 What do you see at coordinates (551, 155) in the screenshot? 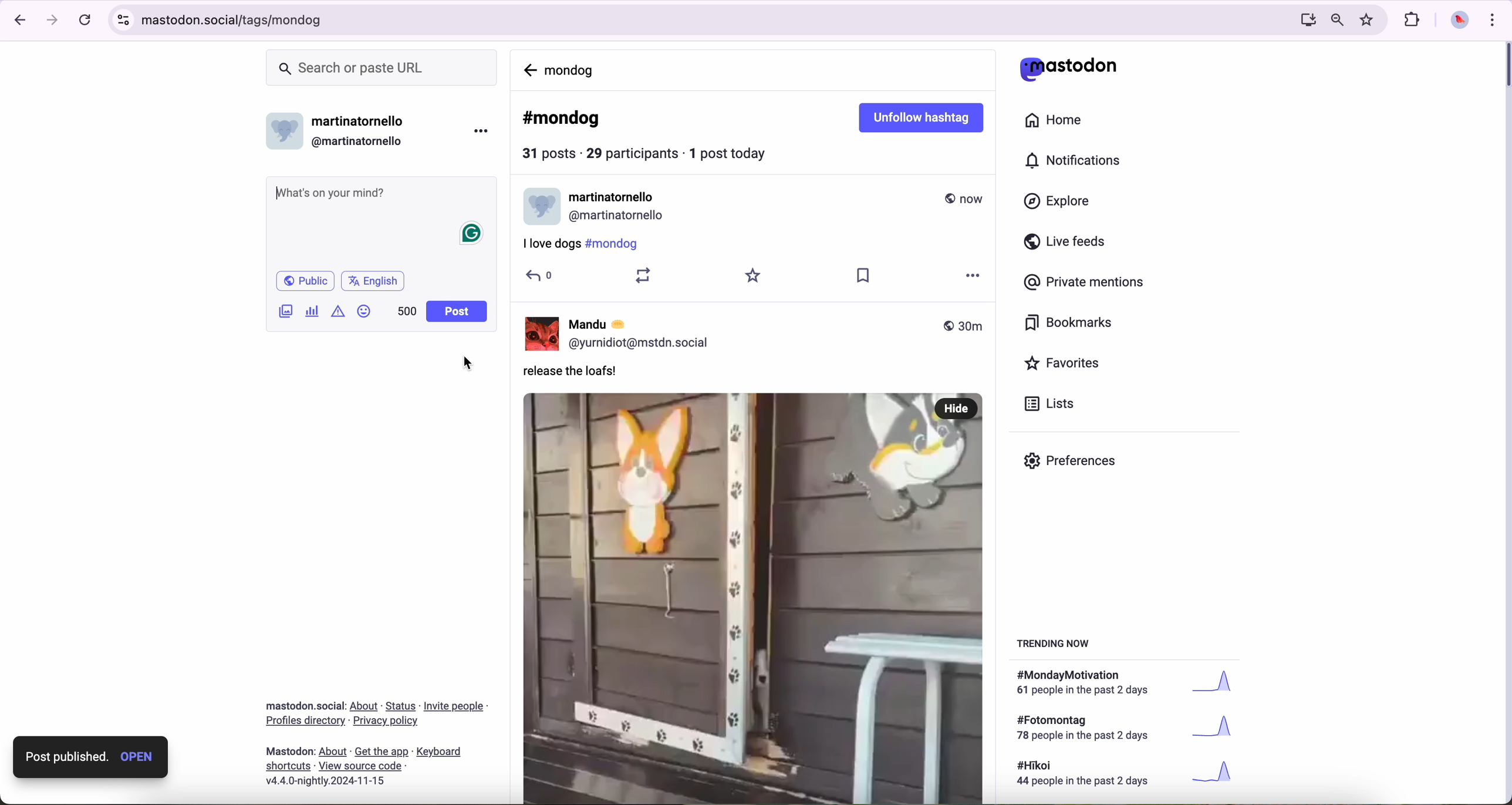
I see `31 posts` at bounding box center [551, 155].